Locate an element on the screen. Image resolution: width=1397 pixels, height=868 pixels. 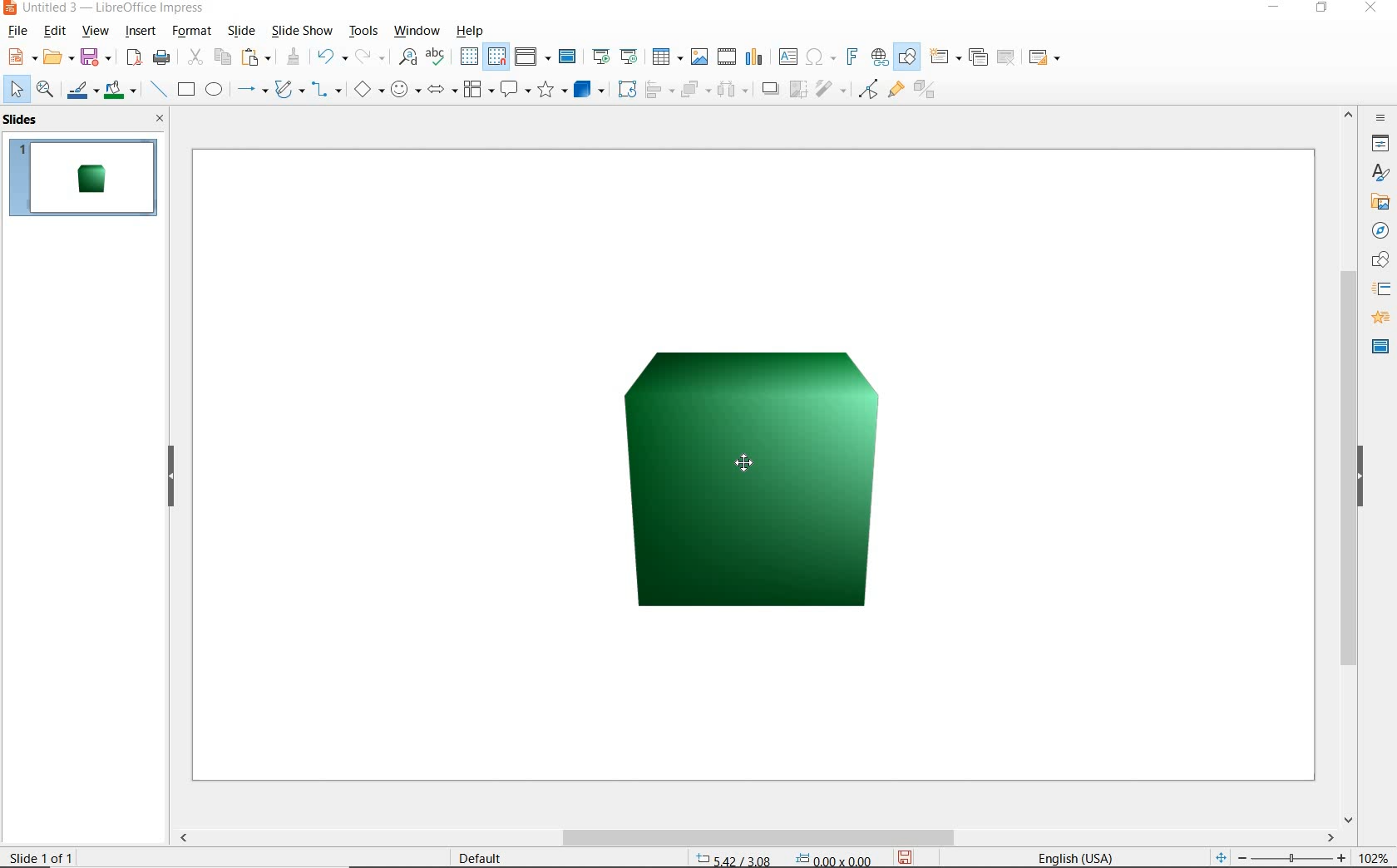
MINIMIZE is located at coordinates (1277, 7).